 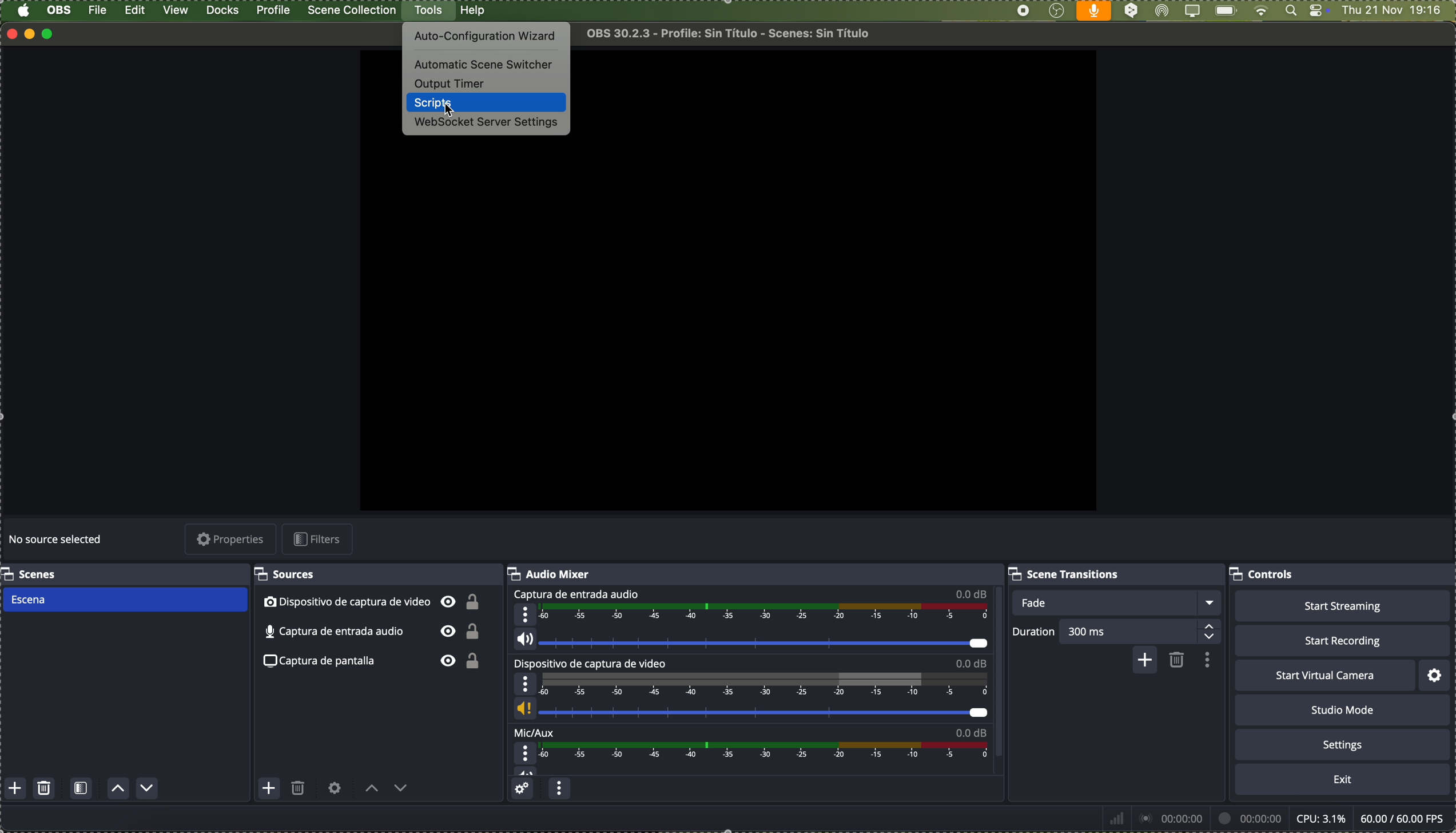 I want to click on sources, so click(x=289, y=574).